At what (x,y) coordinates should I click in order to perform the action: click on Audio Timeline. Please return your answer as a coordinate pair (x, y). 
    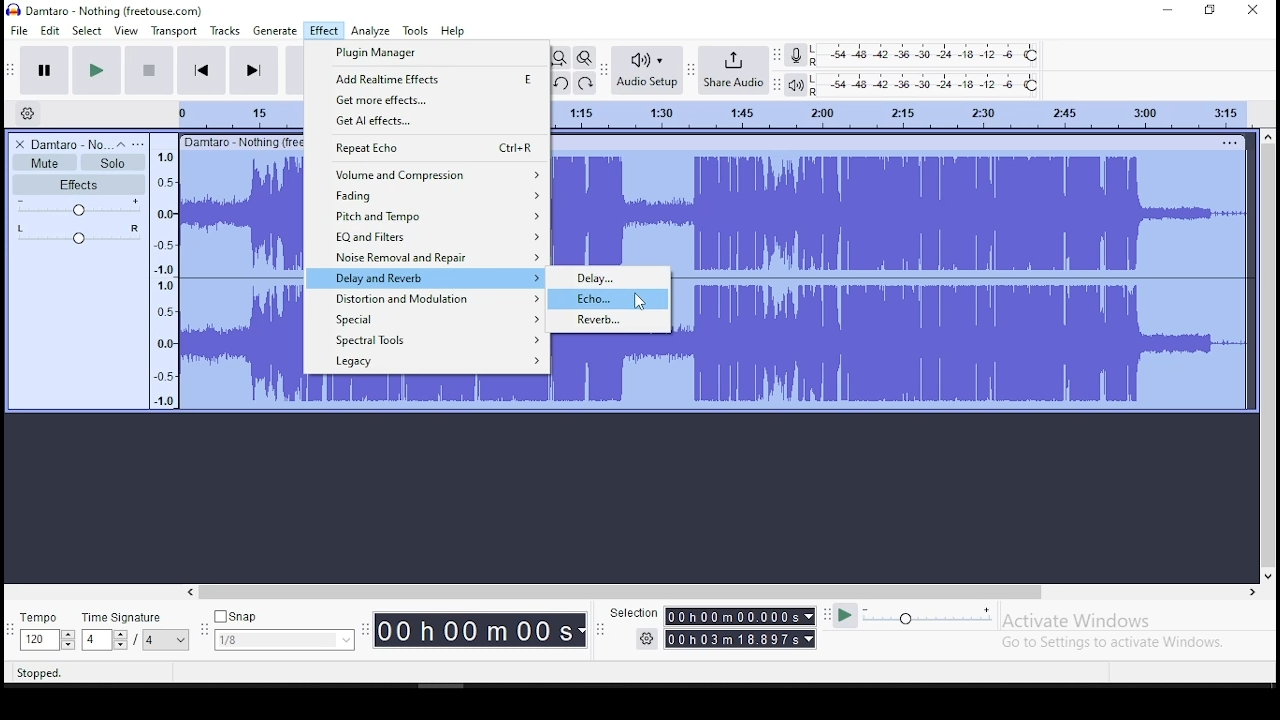
    Looking at the image, I should click on (904, 114).